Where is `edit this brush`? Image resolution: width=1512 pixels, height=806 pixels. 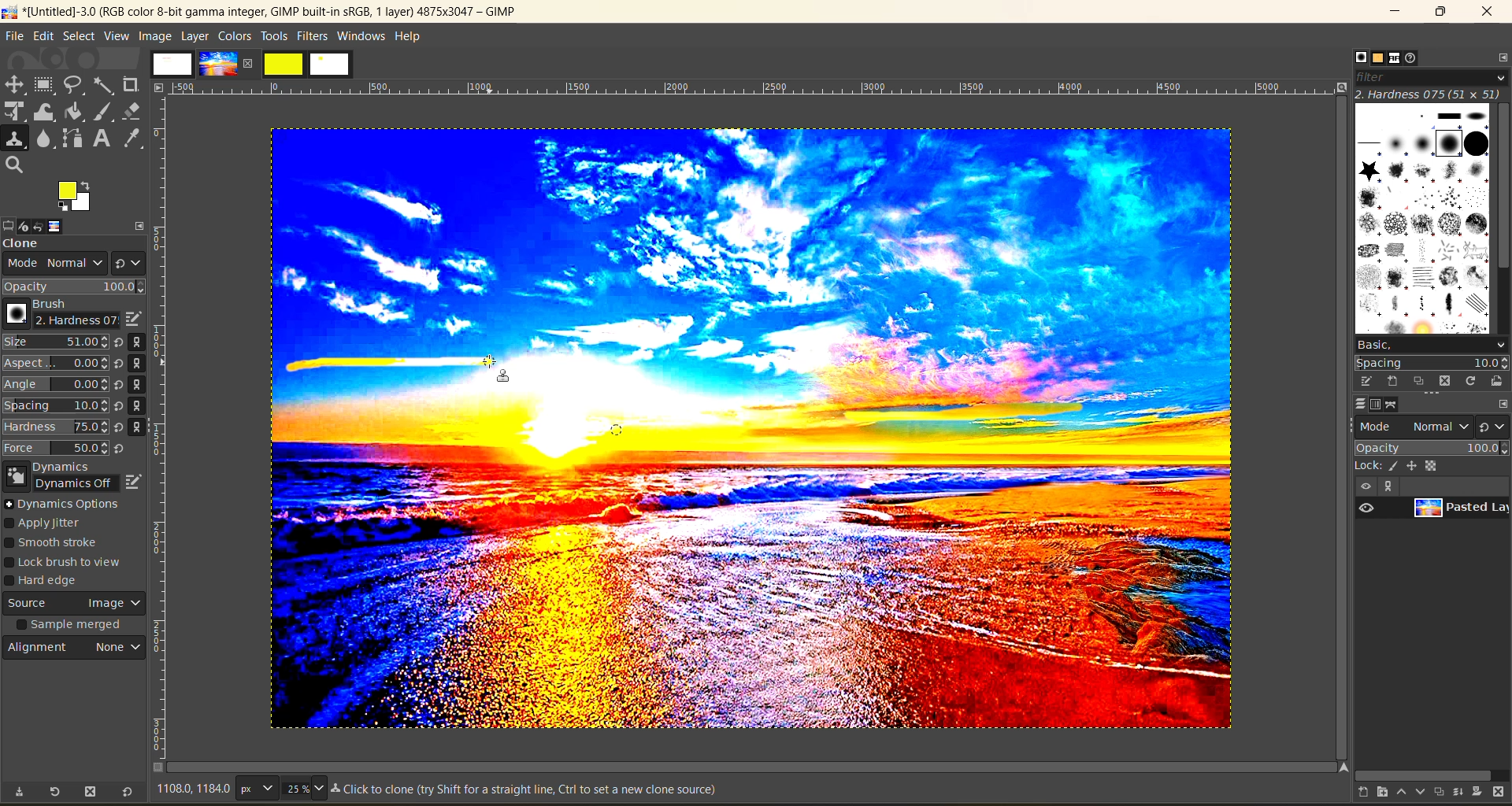
edit this brush is located at coordinates (1361, 381).